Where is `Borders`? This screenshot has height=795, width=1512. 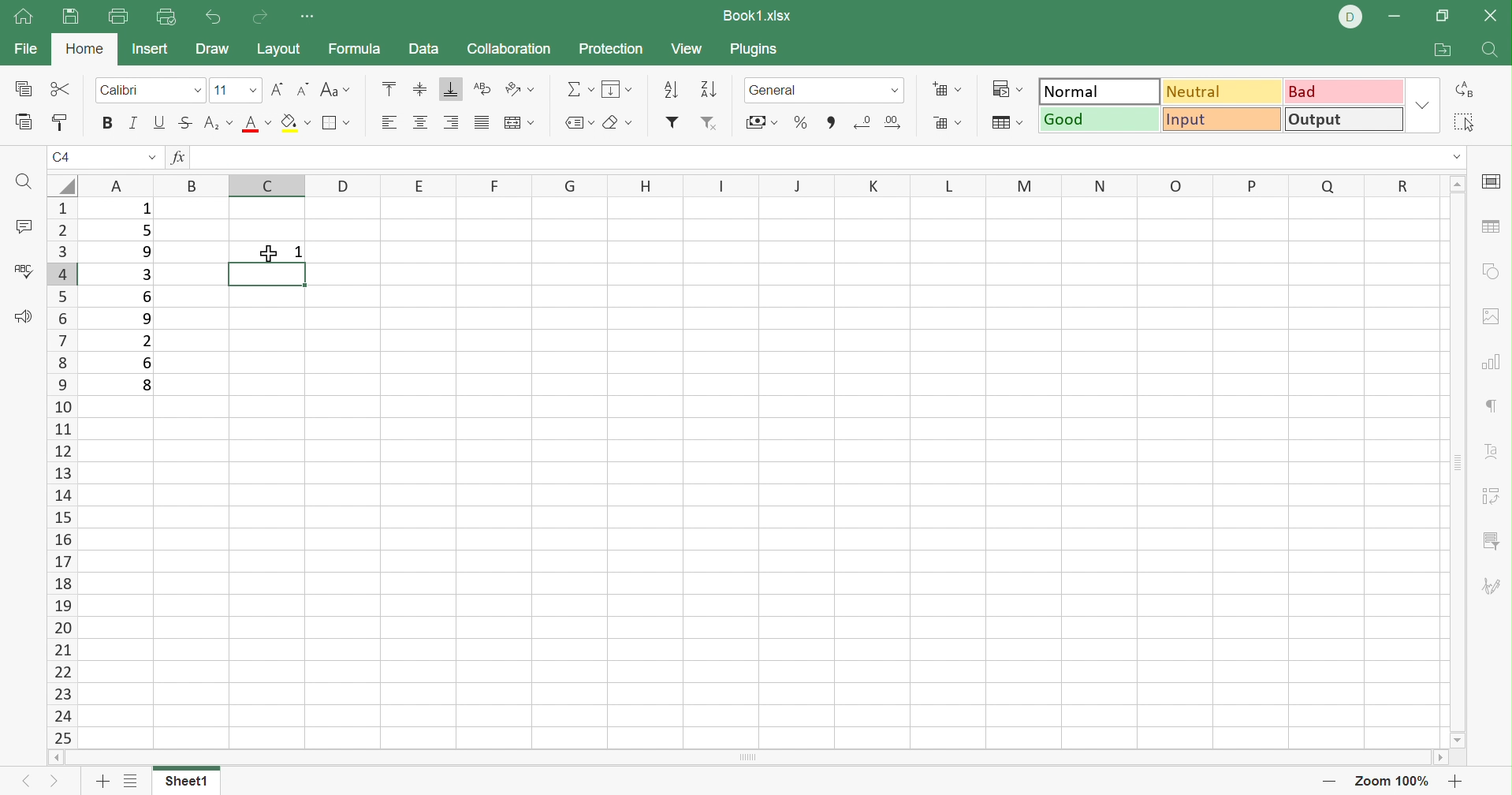 Borders is located at coordinates (336, 123).